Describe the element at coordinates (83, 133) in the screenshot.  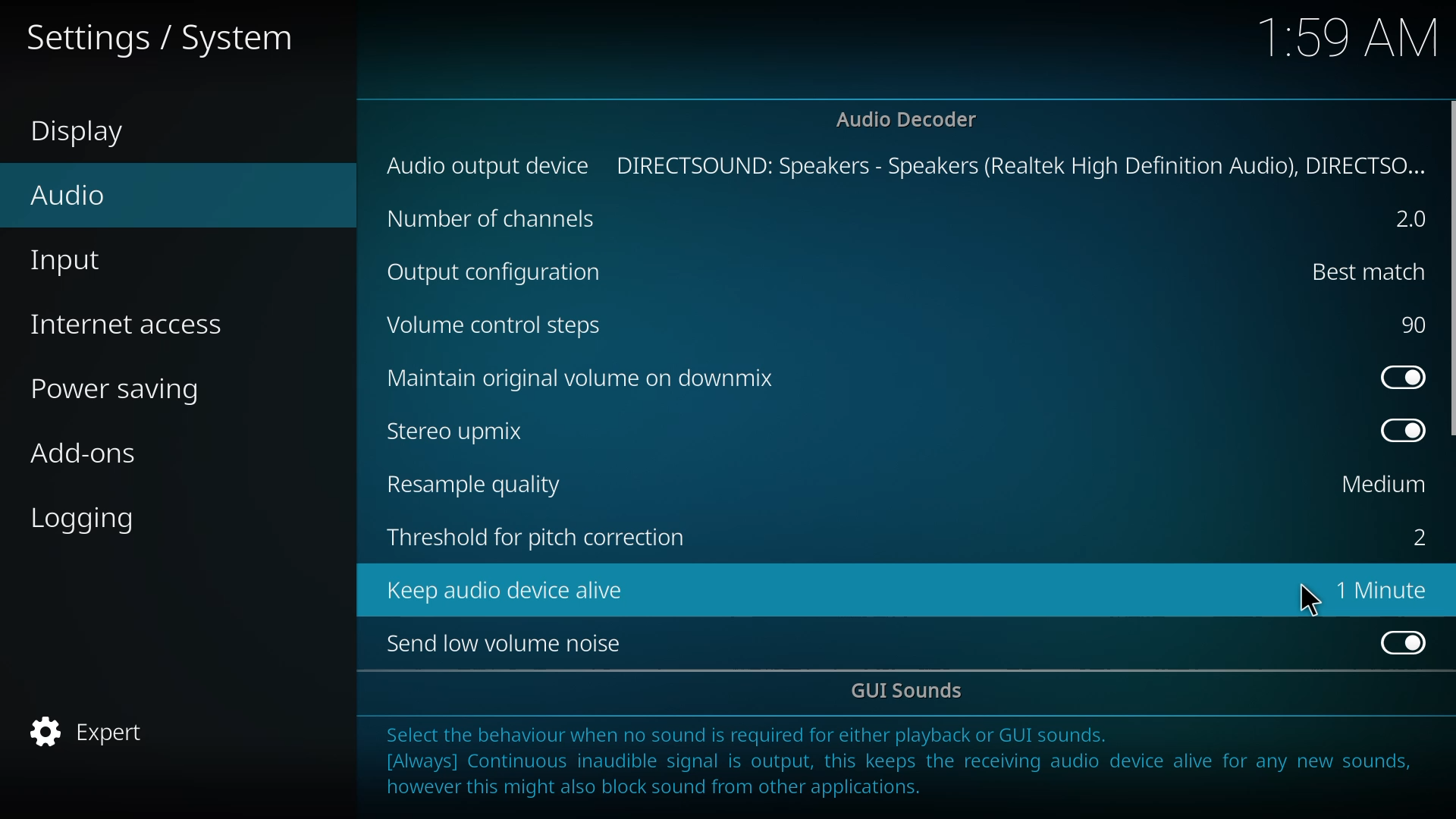
I see `display` at that location.